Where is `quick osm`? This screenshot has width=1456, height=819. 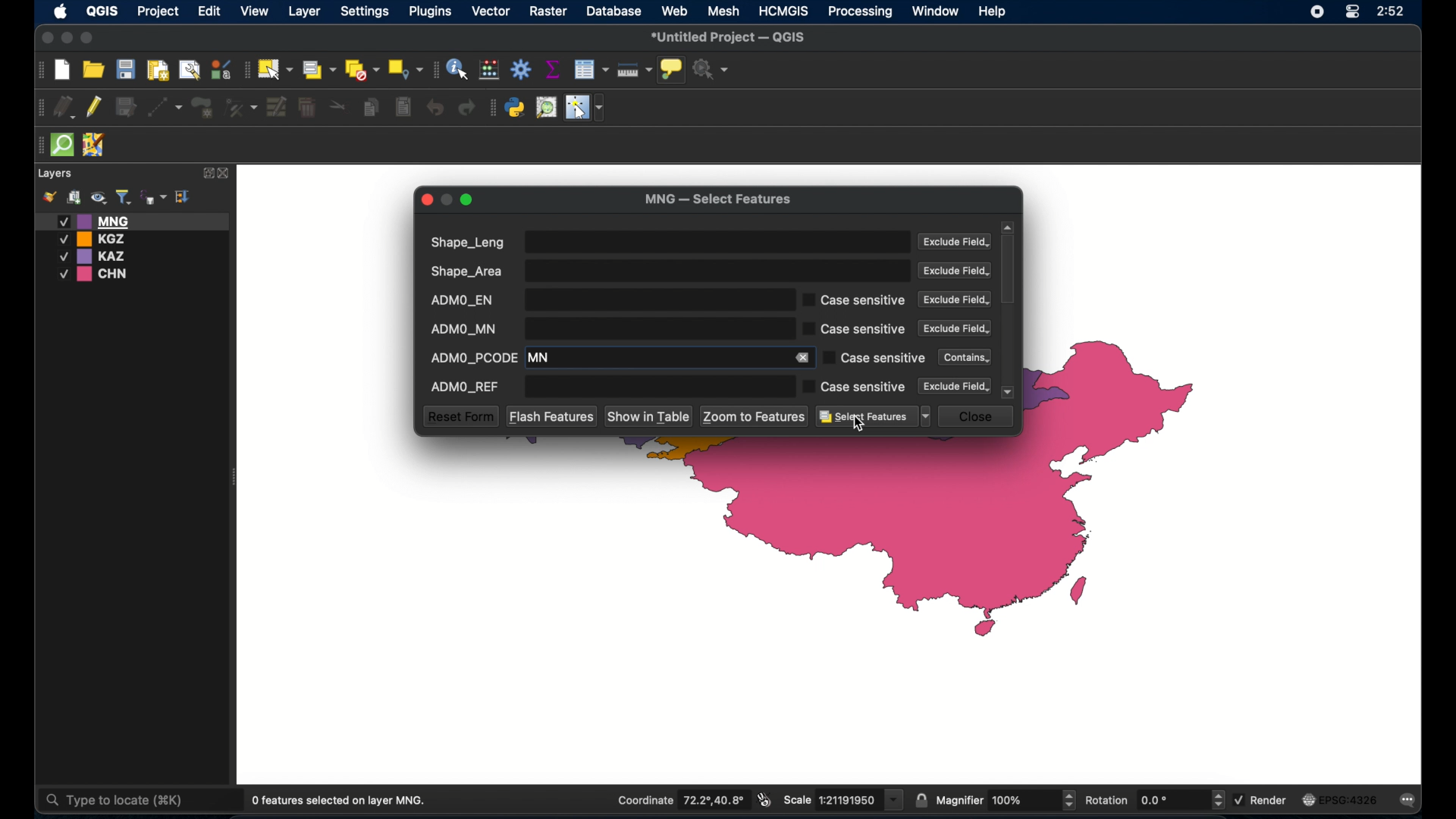 quick osm is located at coordinates (63, 146).